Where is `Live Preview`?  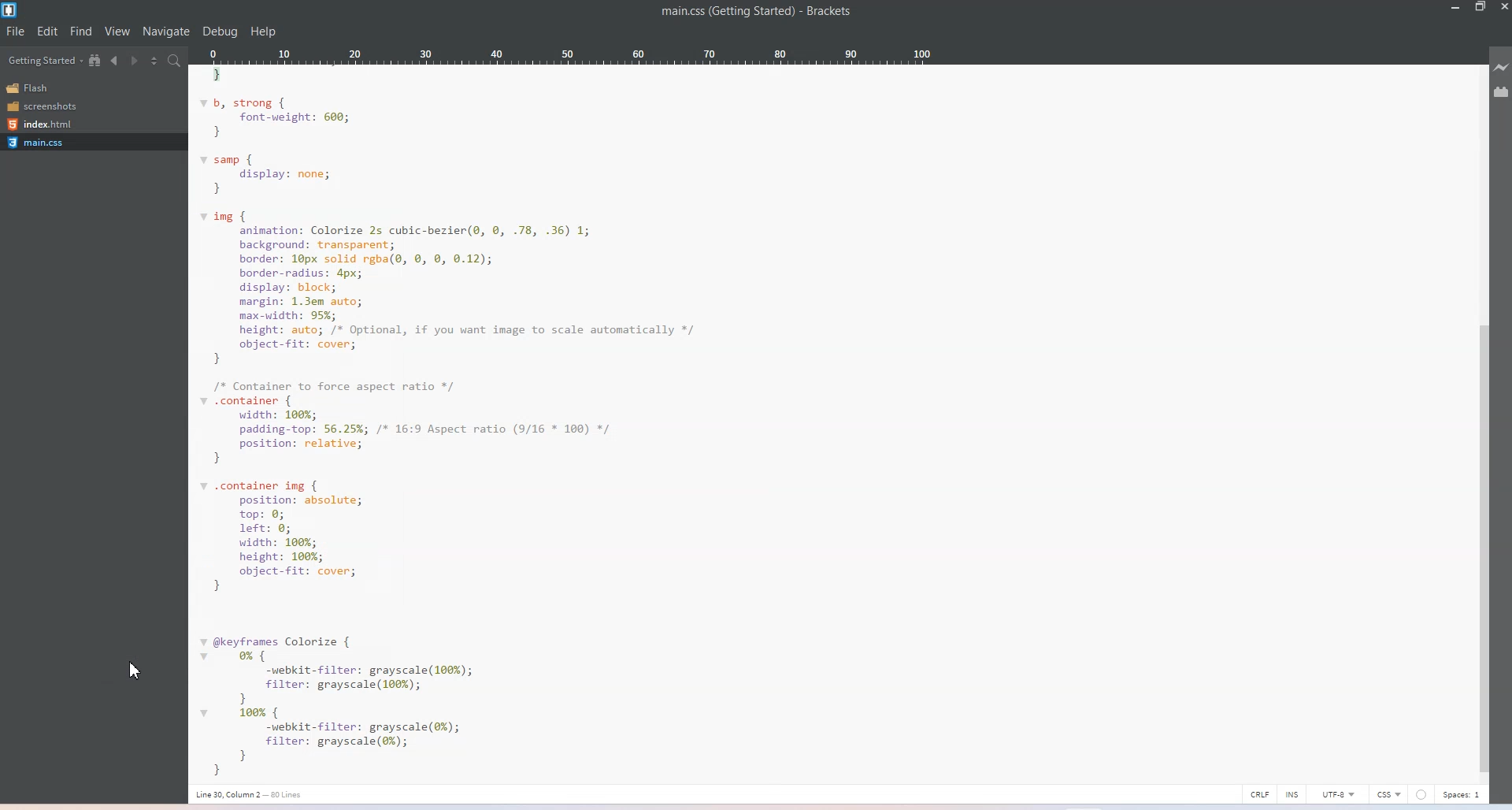 Live Preview is located at coordinates (1502, 67).